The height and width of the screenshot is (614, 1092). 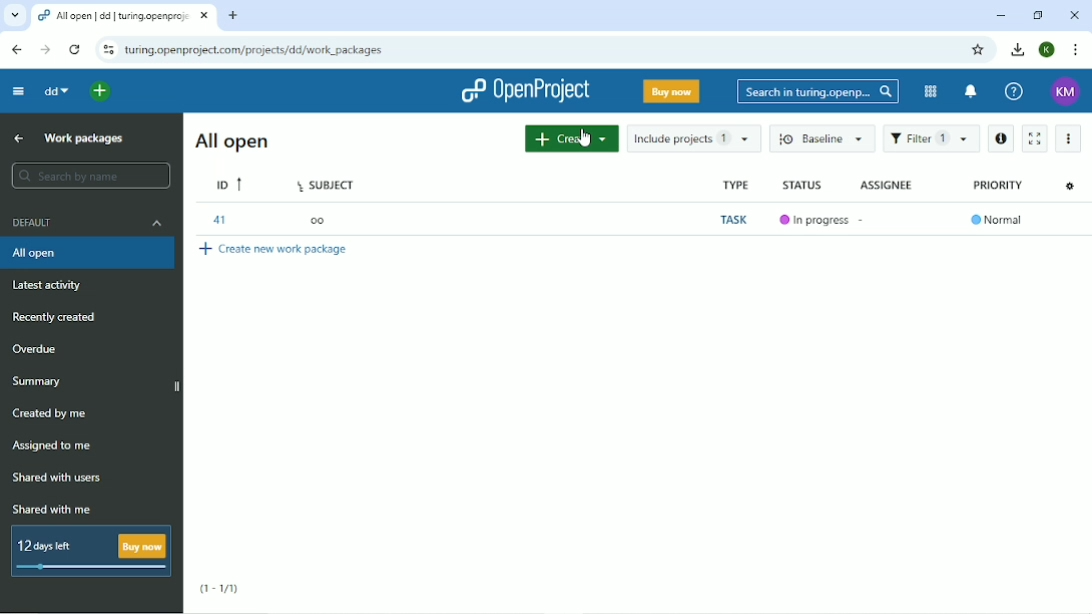 What do you see at coordinates (49, 509) in the screenshot?
I see `Shared with me` at bounding box center [49, 509].